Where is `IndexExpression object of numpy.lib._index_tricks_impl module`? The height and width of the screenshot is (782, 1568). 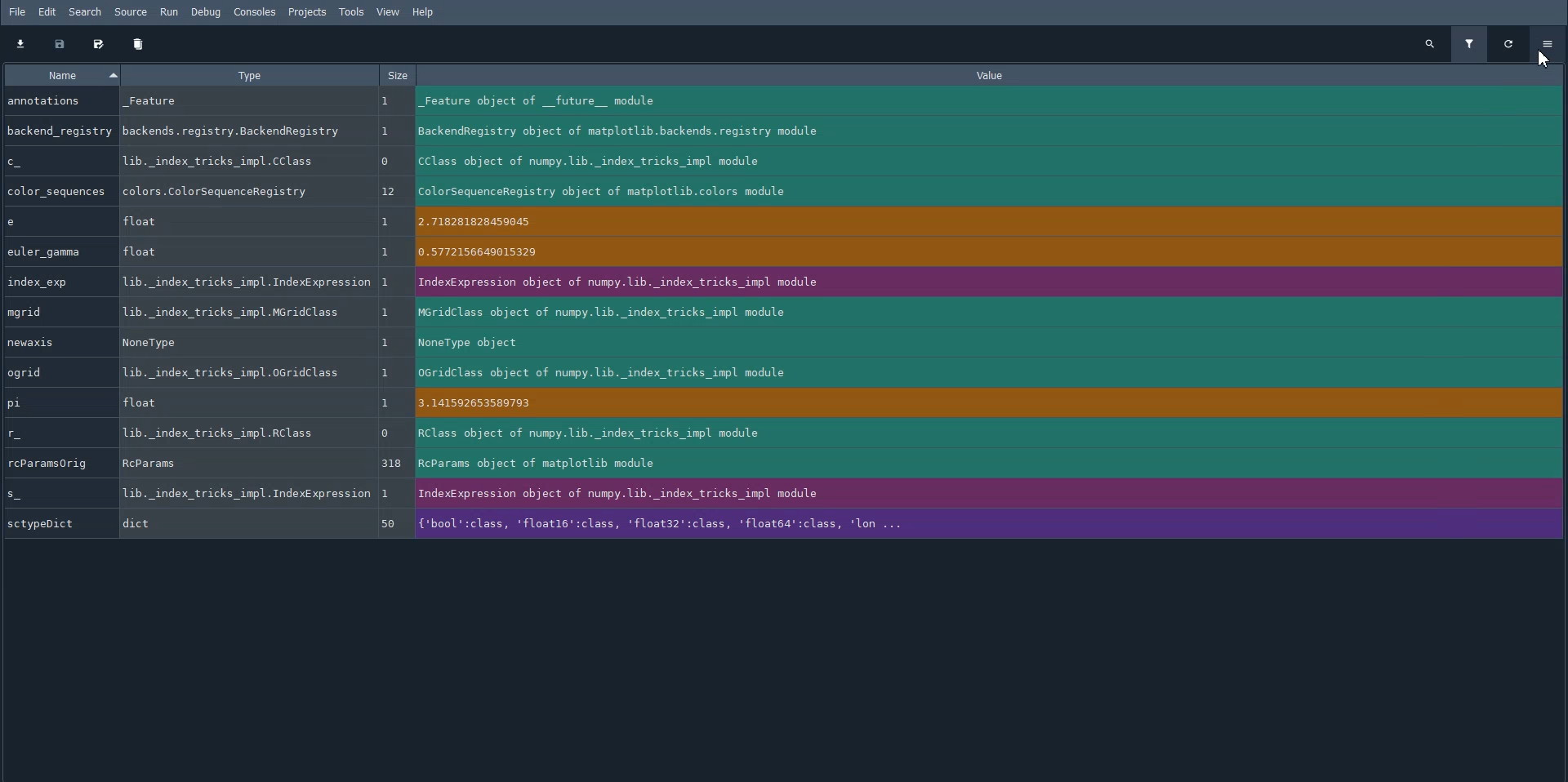 IndexExpression object of numpy.lib._index_tricks_impl module is located at coordinates (988, 282).